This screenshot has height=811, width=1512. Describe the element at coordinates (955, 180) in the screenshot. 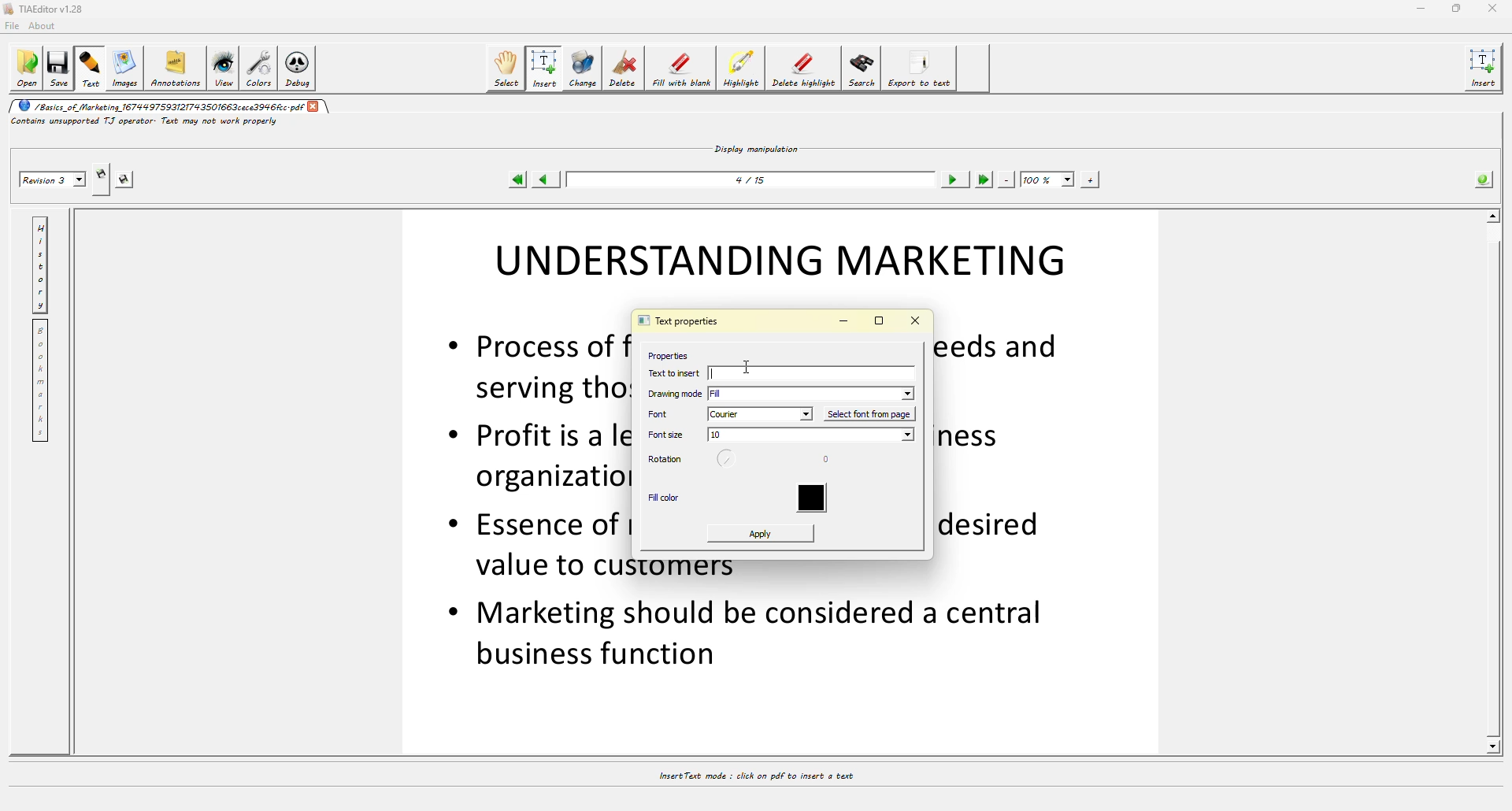

I see `next page` at that location.